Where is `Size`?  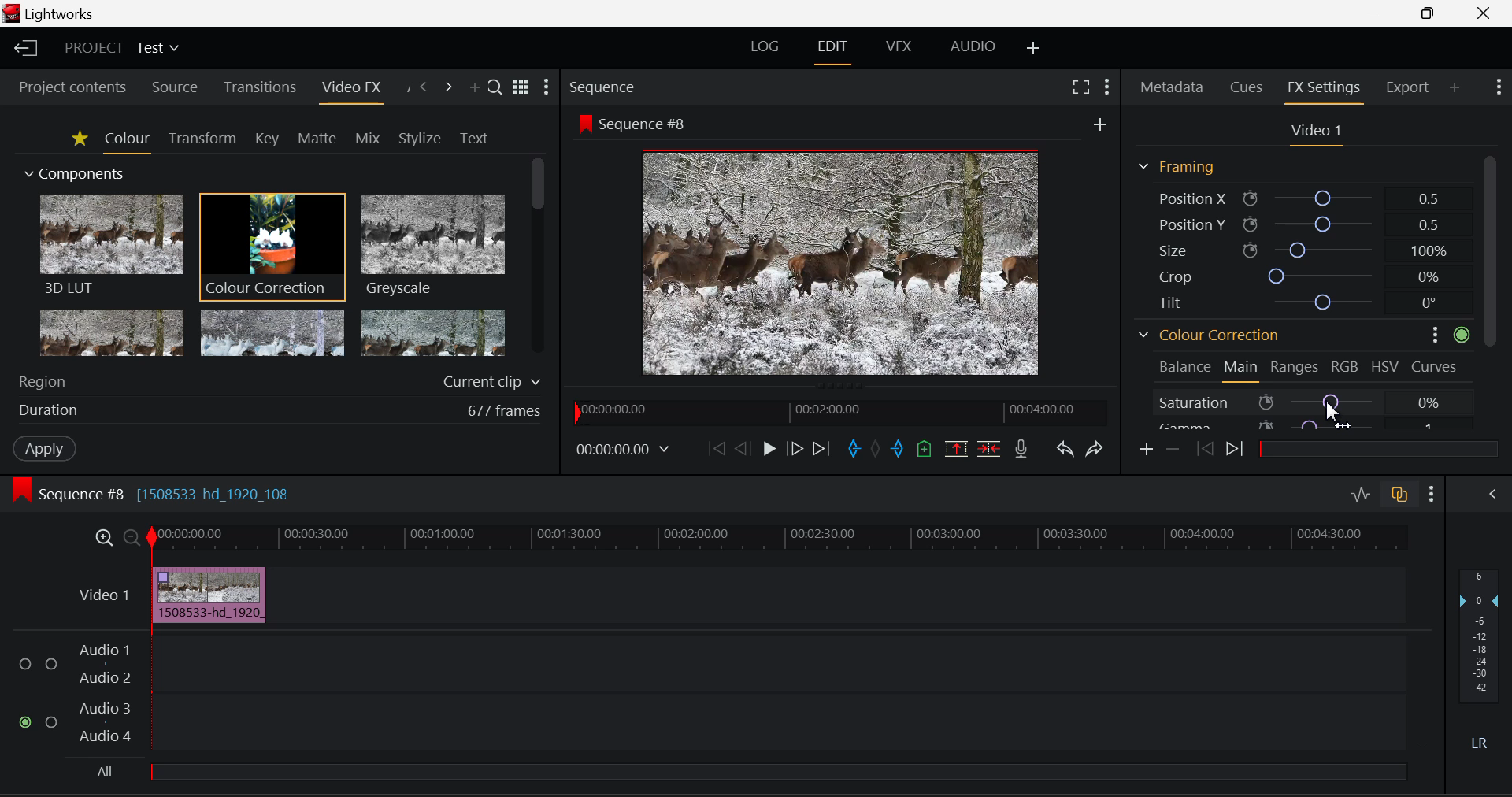
Size is located at coordinates (1296, 250).